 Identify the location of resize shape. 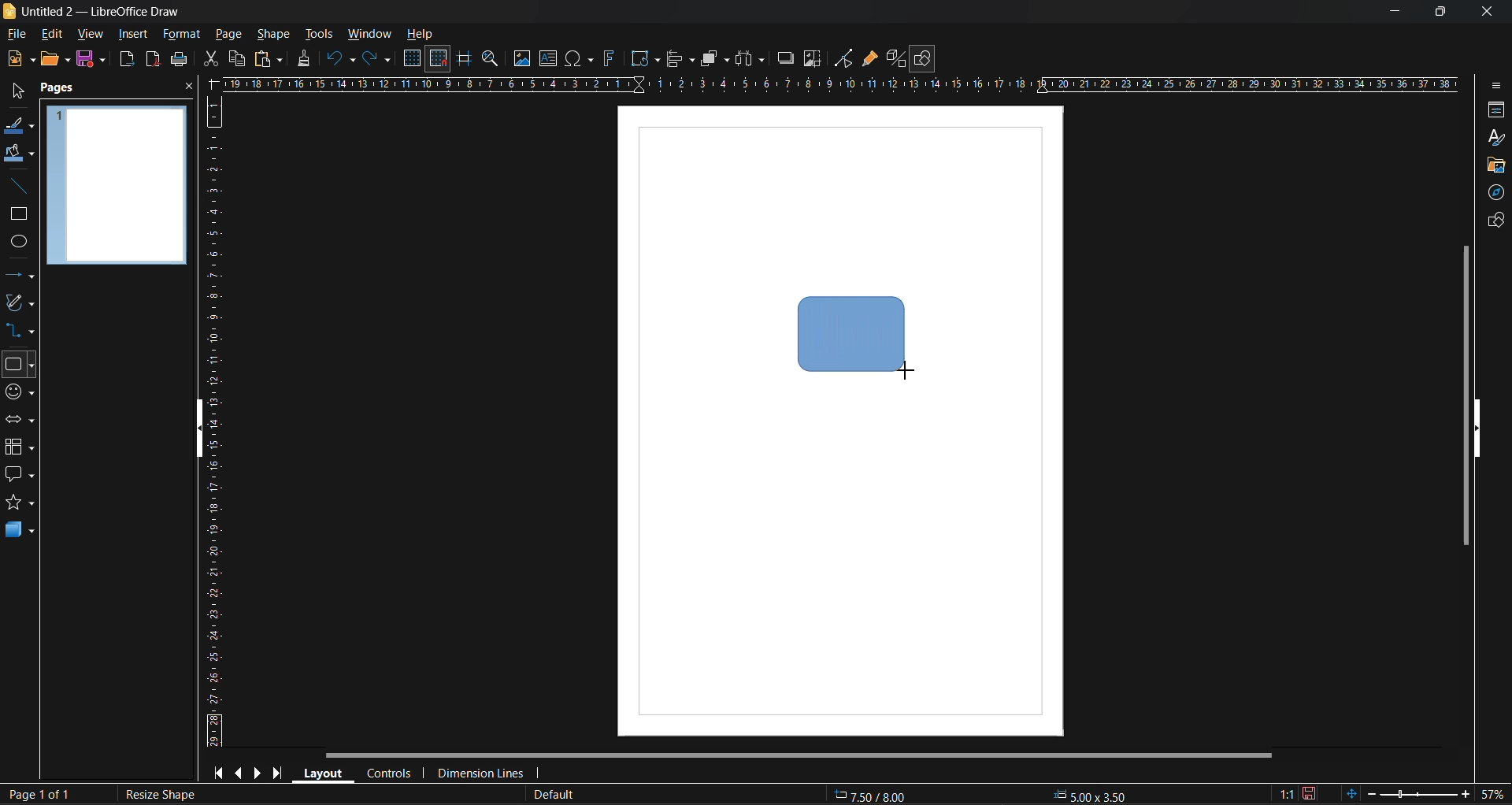
(163, 795).